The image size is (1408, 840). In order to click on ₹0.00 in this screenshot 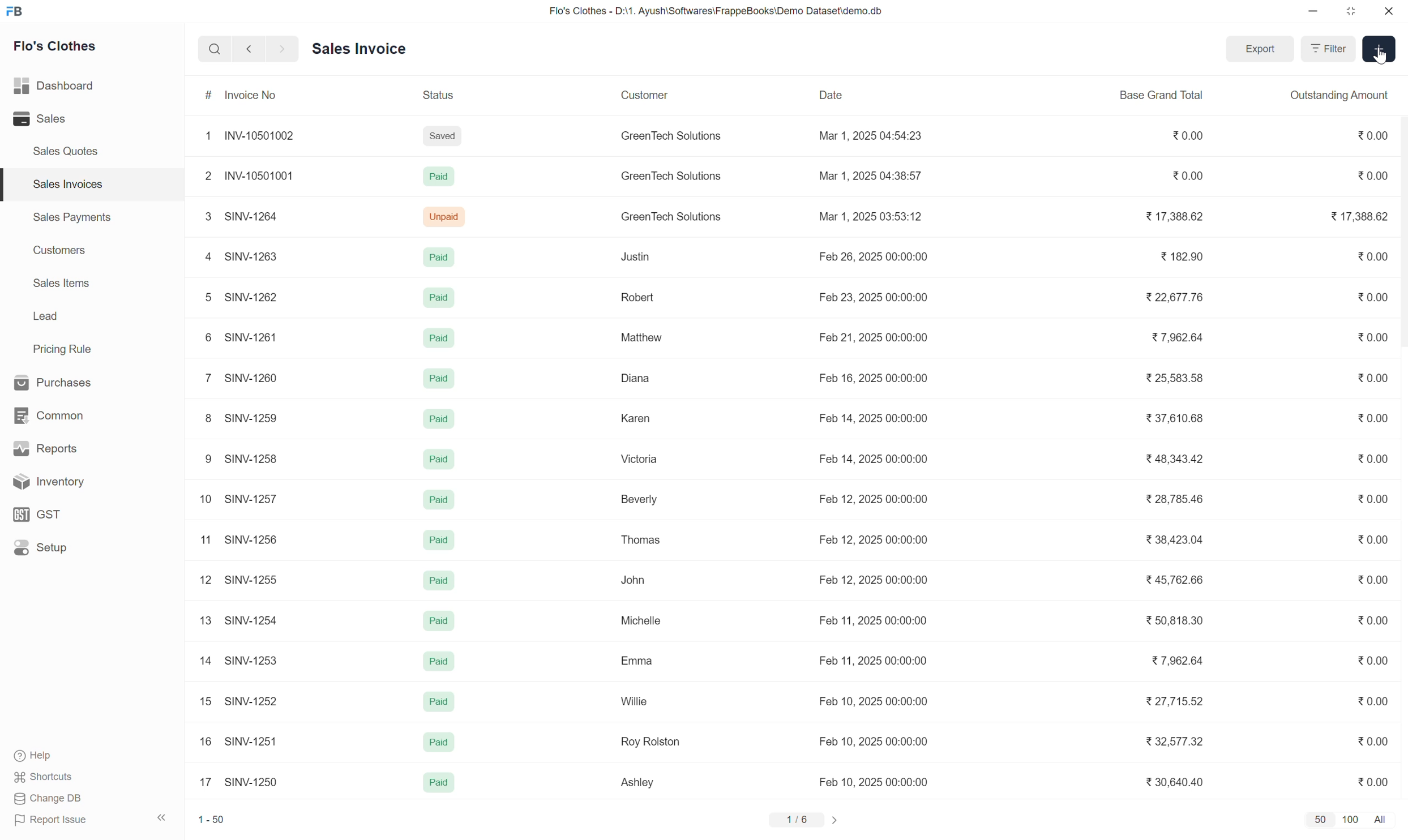, I will do `click(1369, 338)`.